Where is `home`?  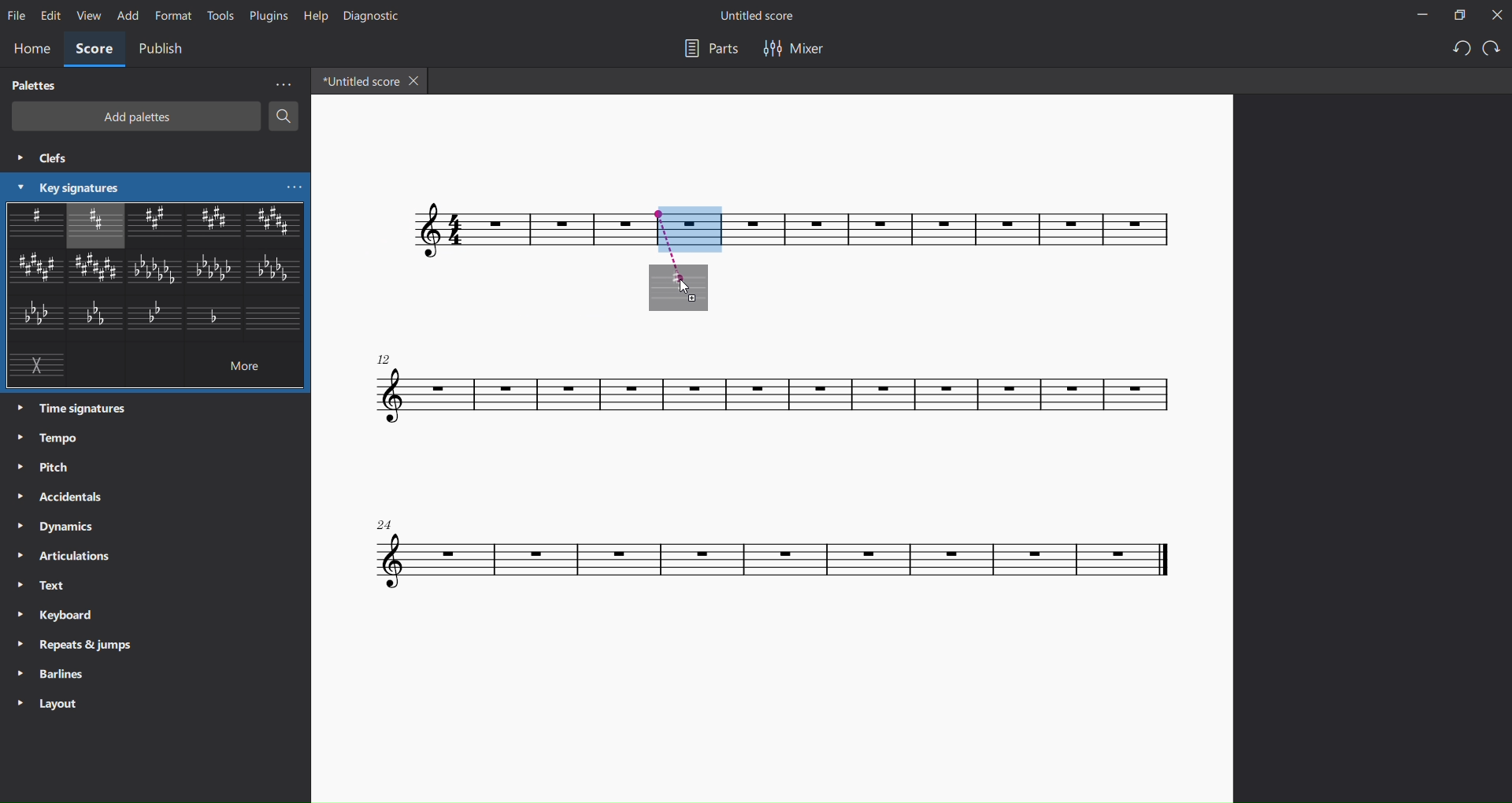 home is located at coordinates (30, 48).